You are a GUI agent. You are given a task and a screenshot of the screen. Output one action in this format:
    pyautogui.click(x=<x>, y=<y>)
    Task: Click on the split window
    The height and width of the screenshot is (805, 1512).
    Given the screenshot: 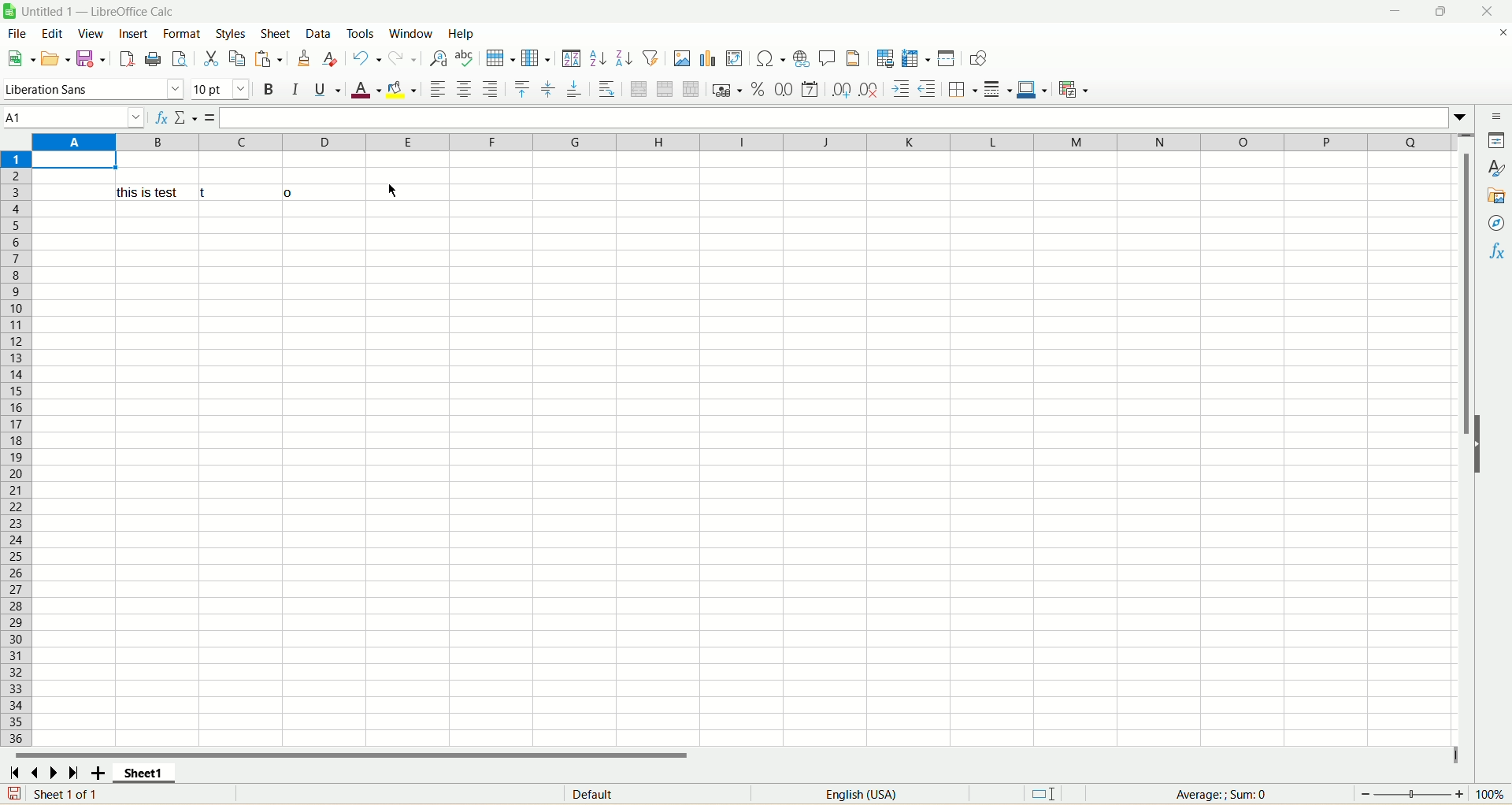 What is the action you would take?
    pyautogui.click(x=947, y=60)
    